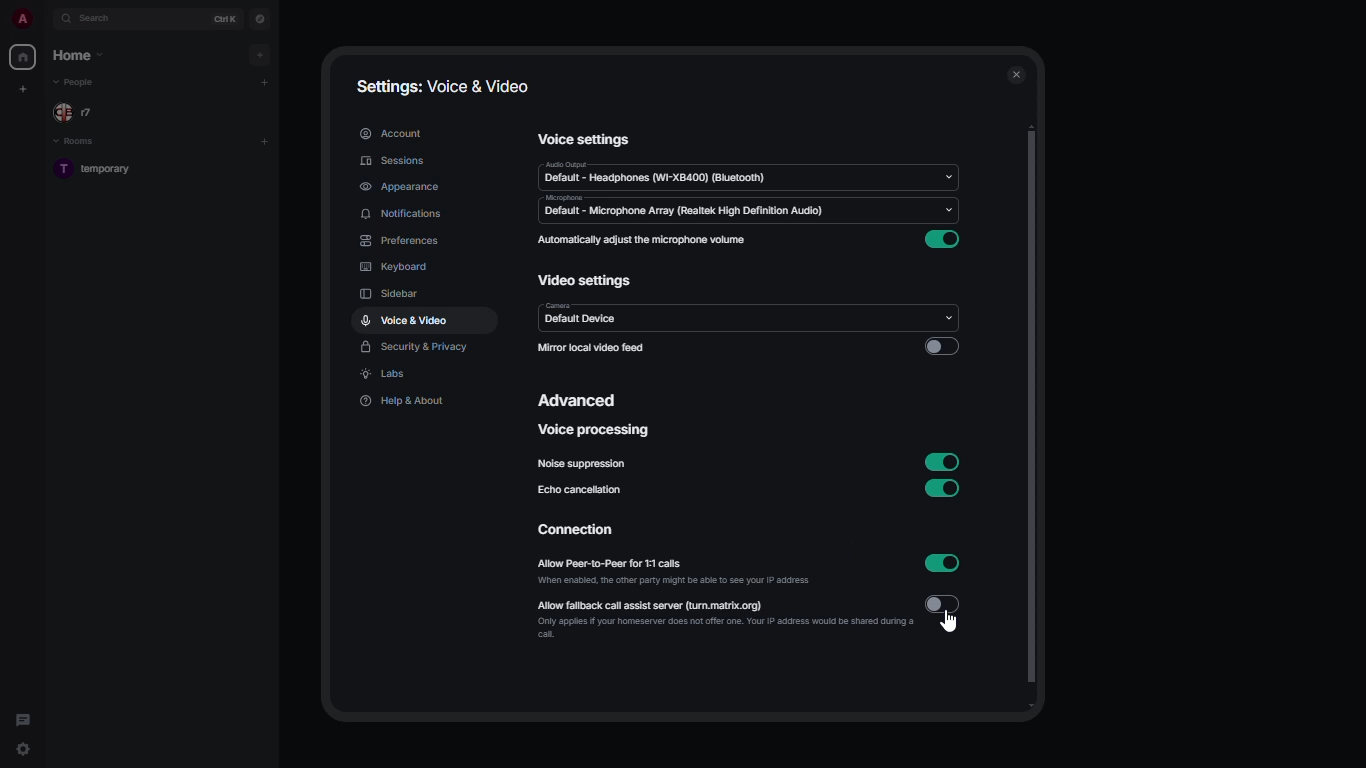 Image resolution: width=1366 pixels, height=768 pixels. I want to click on profile, so click(19, 19).